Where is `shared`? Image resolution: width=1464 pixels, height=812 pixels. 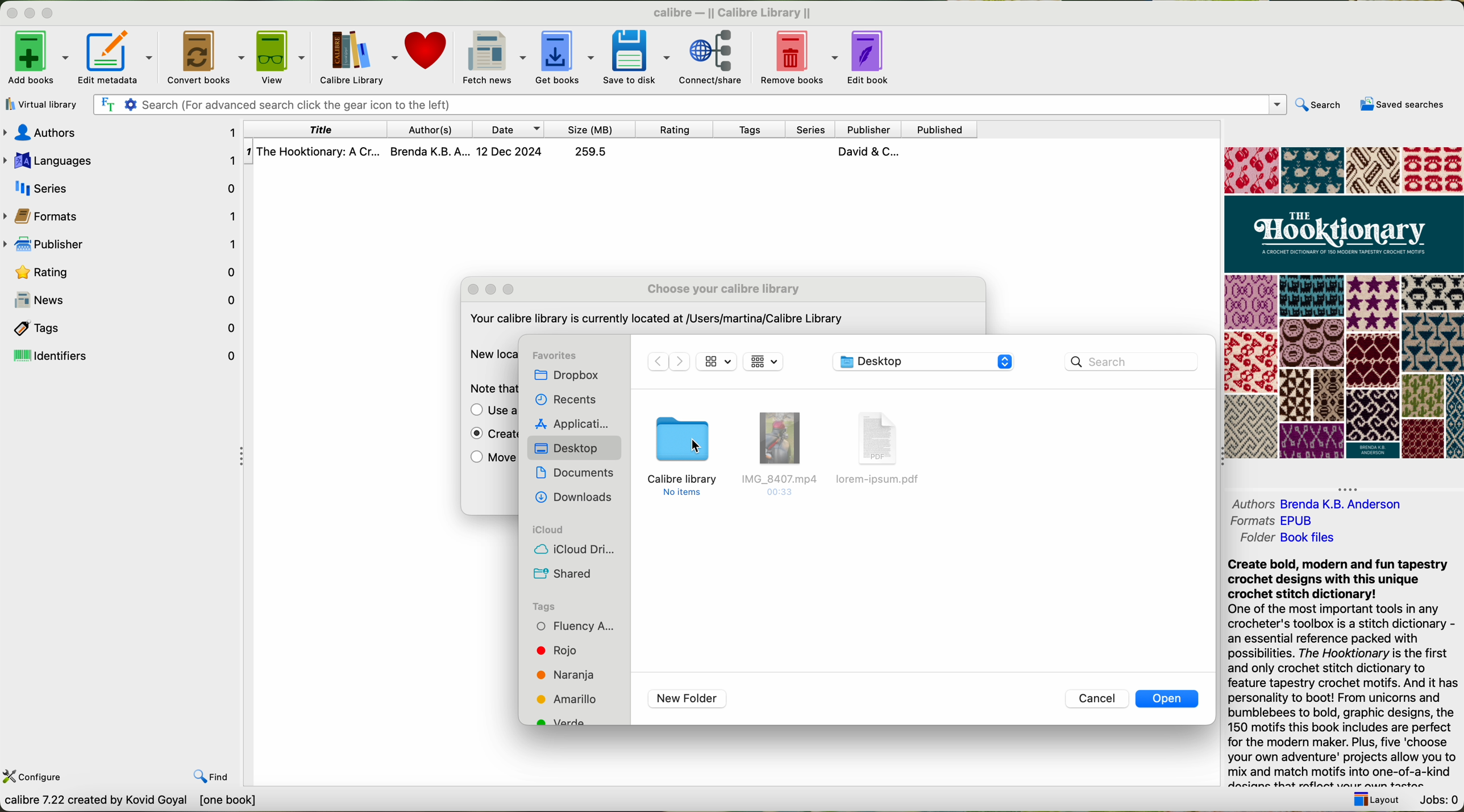
shared is located at coordinates (562, 574).